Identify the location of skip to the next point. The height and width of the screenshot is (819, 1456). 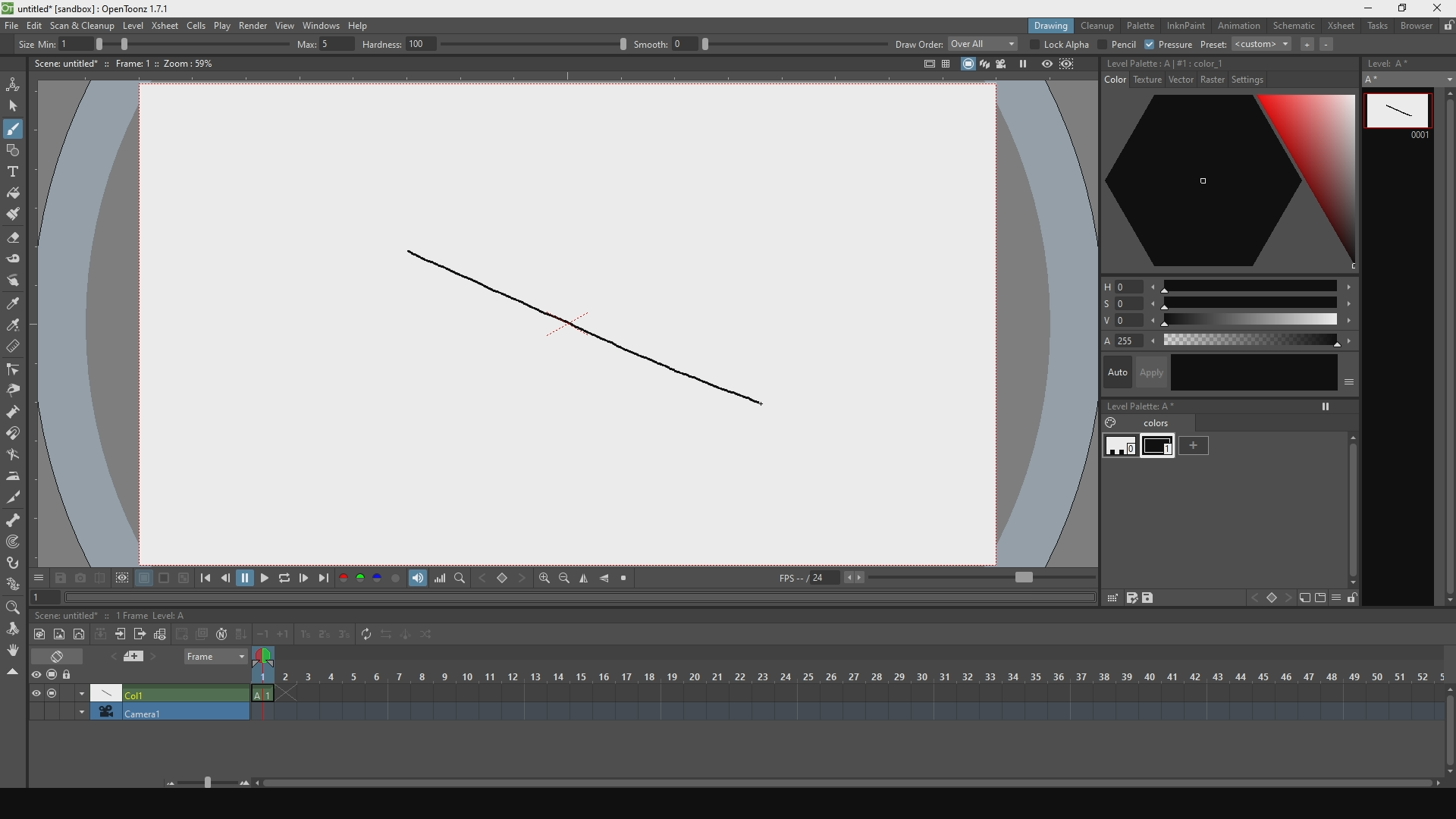
(326, 579).